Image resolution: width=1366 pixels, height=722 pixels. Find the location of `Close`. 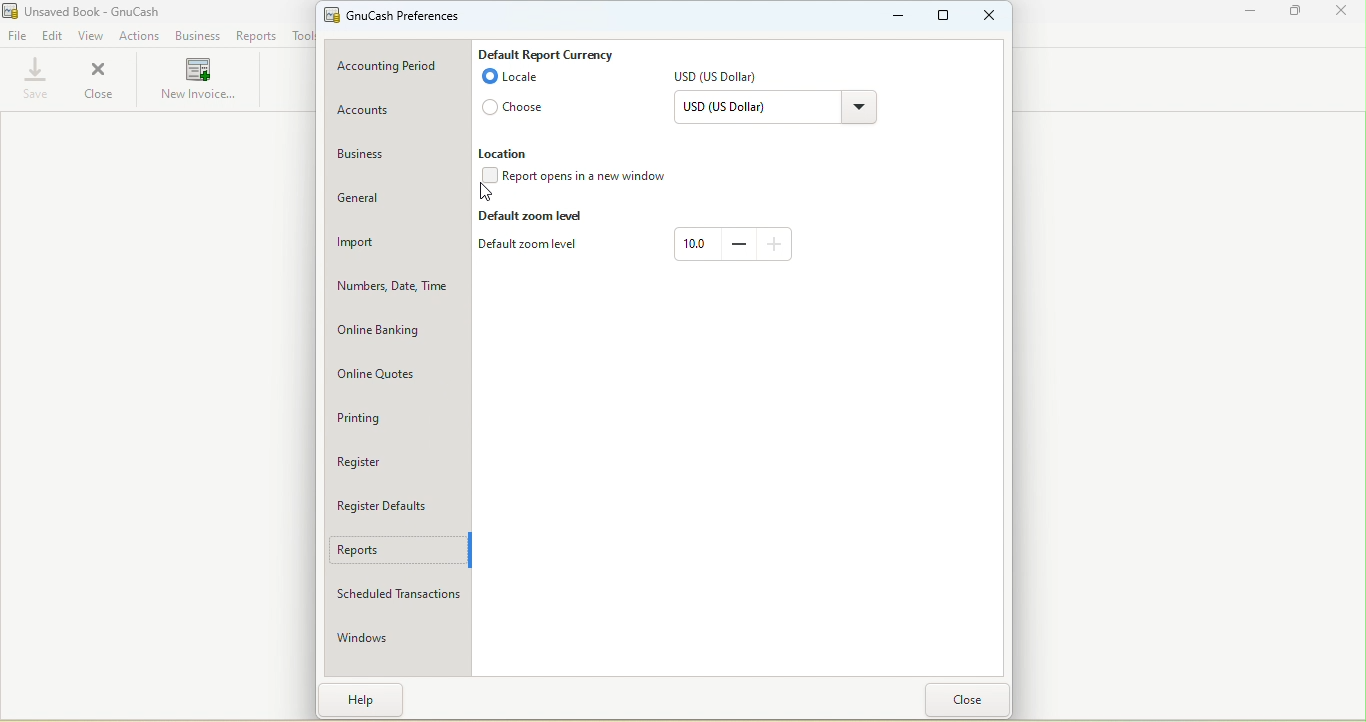

Close is located at coordinates (990, 15).